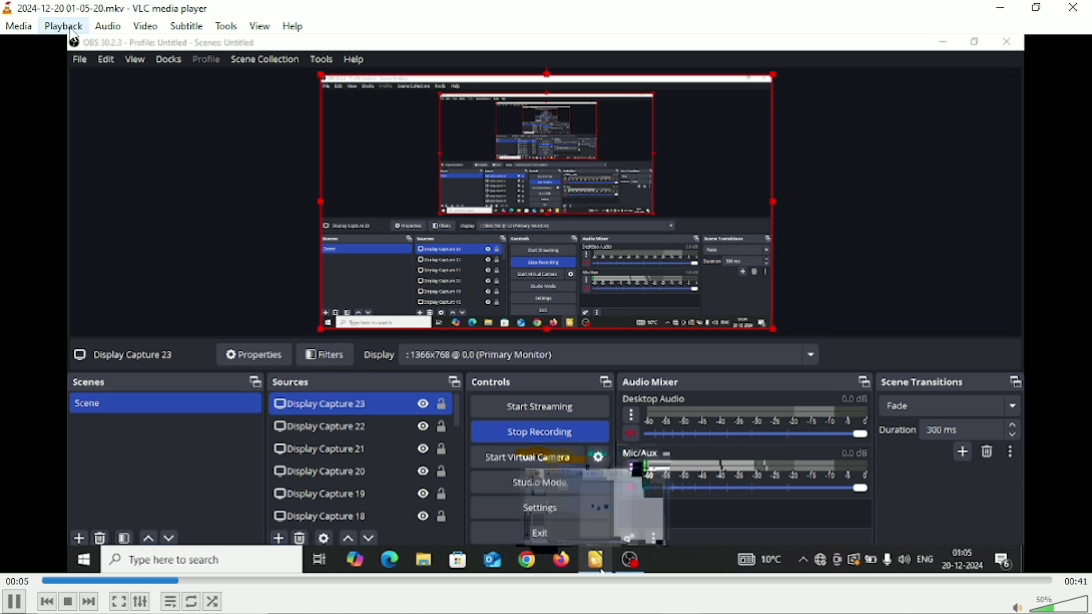 This screenshot has width=1092, height=614. Describe the element at coordinates (67, 601) in the screenshot. I see `Stop playback` at that location.